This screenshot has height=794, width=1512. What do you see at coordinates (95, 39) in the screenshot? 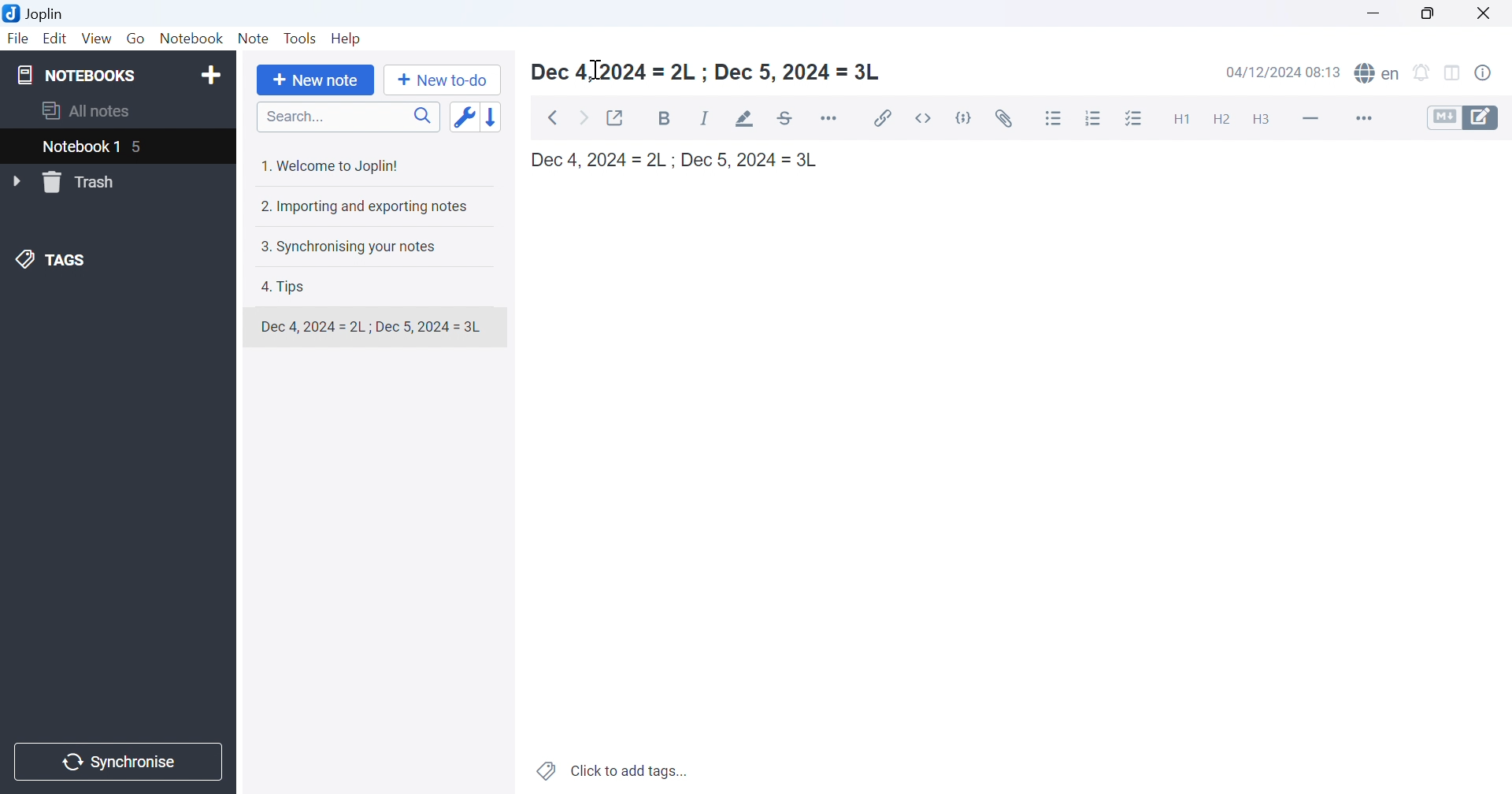
I see `View` at bounding box center [95, 39].